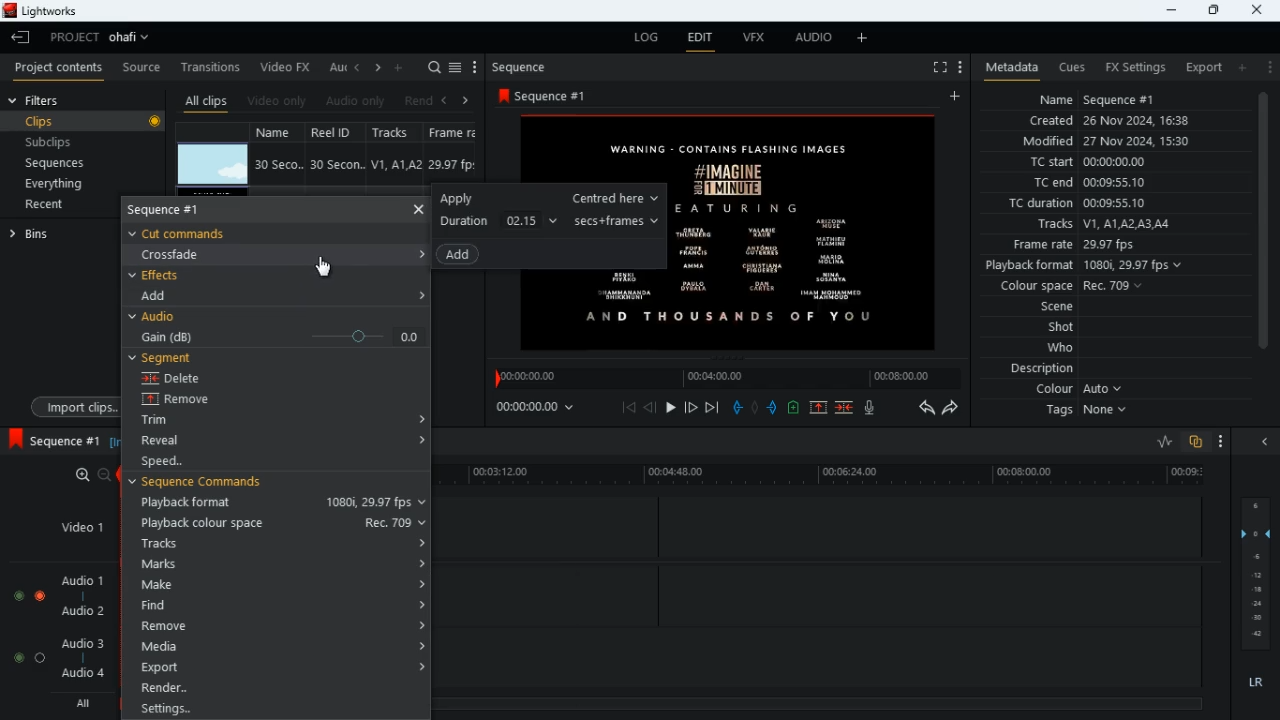 The width and height of the screenshot is (1280, 720). What do you see at coordinates (548, 198) in the screenshot?
I see `apply` at bounding box center [548, 198].